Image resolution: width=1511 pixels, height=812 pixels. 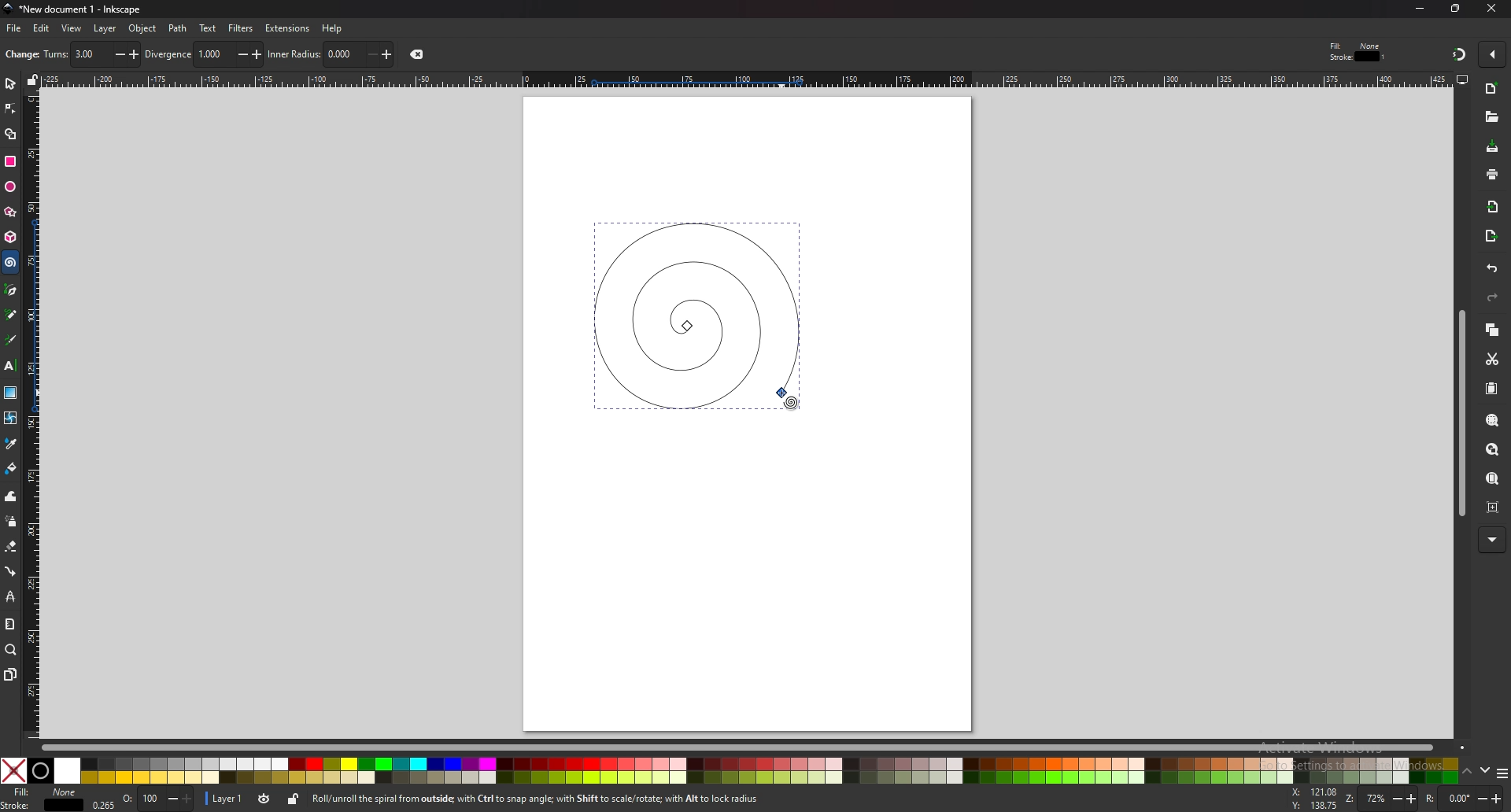 I want to click on scroll bar, so click(x=1459, y=416).